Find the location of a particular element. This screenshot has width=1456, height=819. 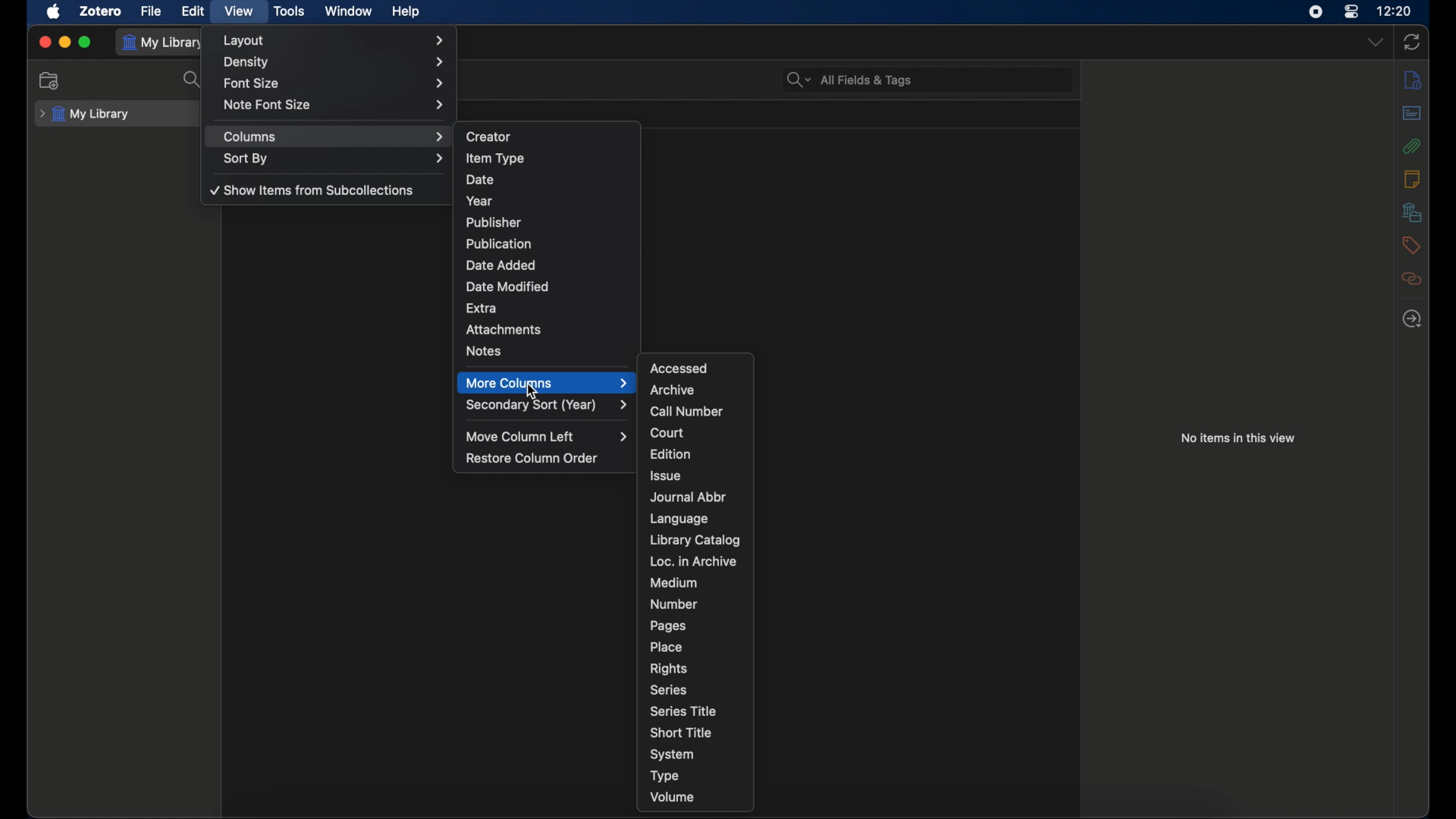

tools is located at coordinates (287, 11).